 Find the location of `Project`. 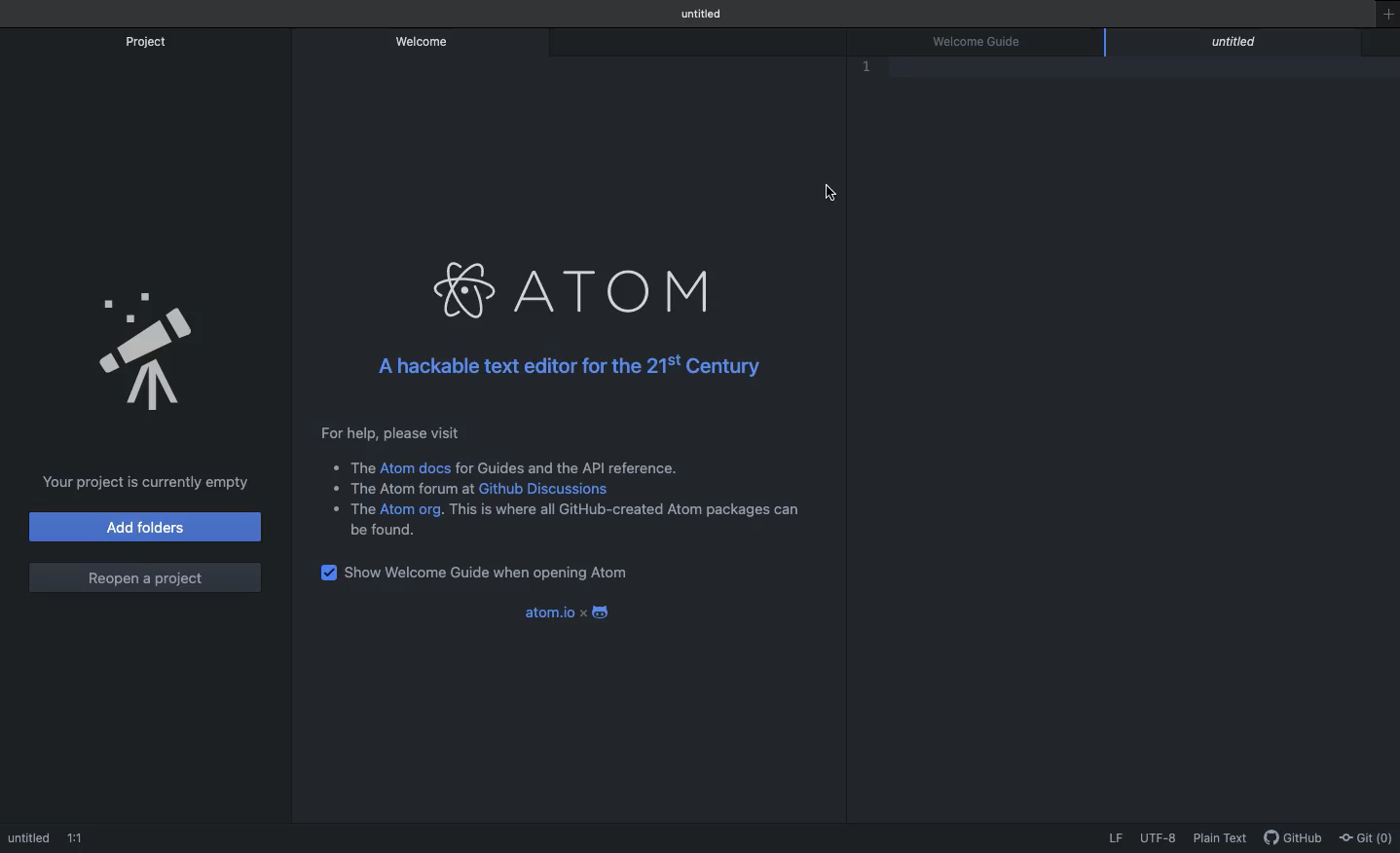

Project is located at coordinates (147, 42).